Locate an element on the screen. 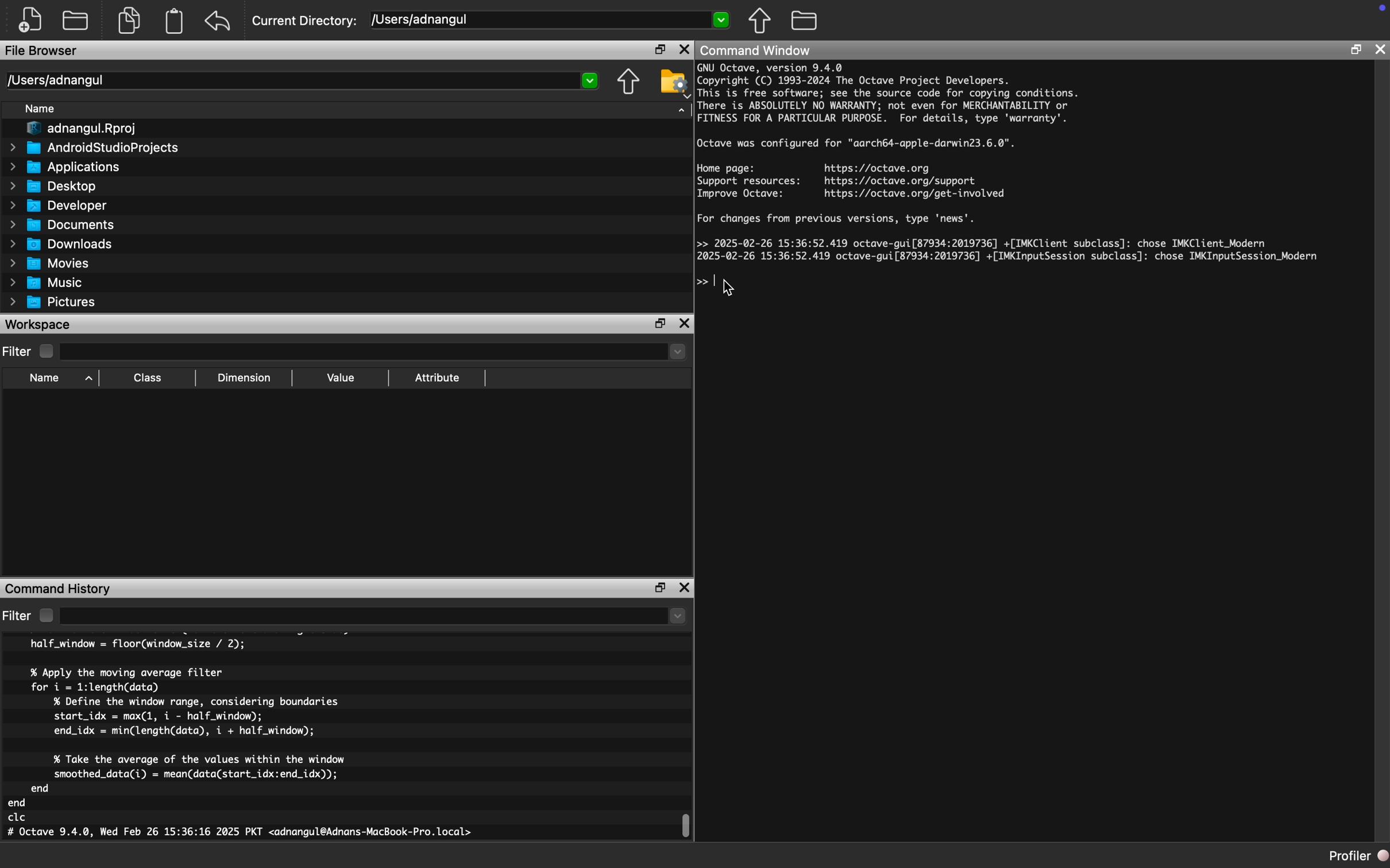 The width and height of the screenshot is (1390, 868). Dropdown is located at coordinates (375, 353).